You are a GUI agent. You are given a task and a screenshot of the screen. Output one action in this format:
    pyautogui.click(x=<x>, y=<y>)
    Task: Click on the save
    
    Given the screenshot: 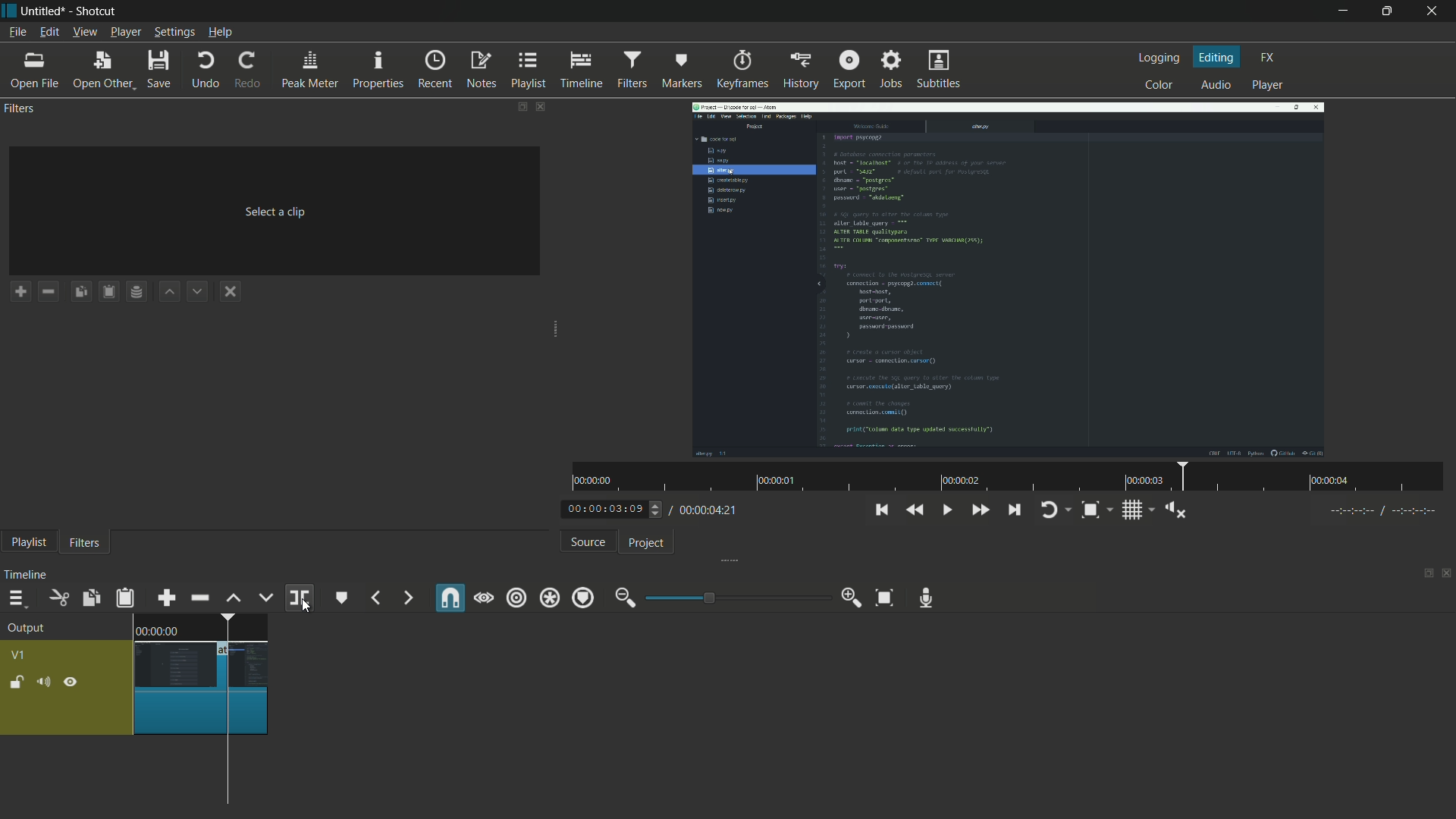 What is the action you would take?
    pyautogui.click(x=160, y=68)
    